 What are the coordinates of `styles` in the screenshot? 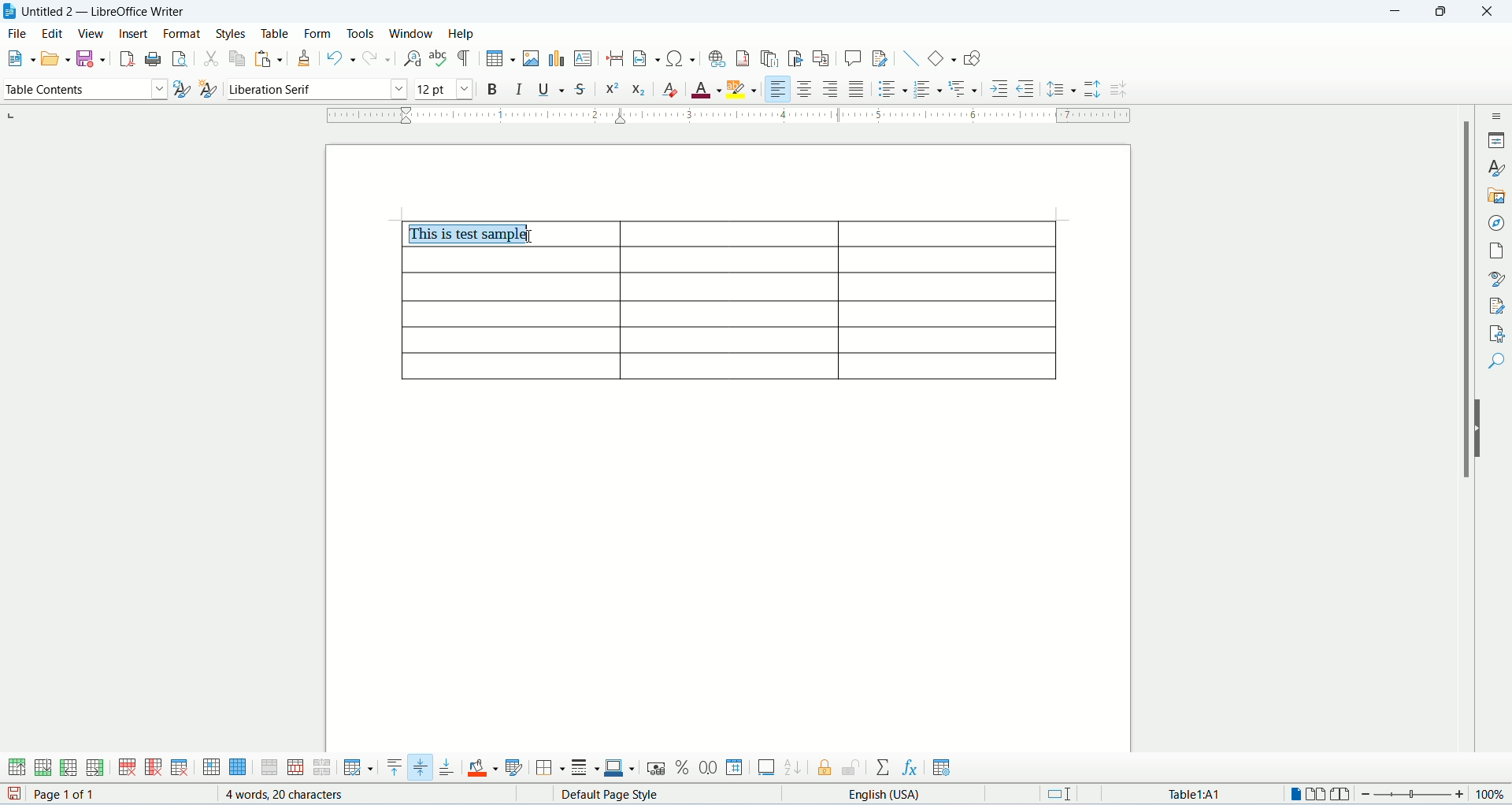 It's located at (234, 32).